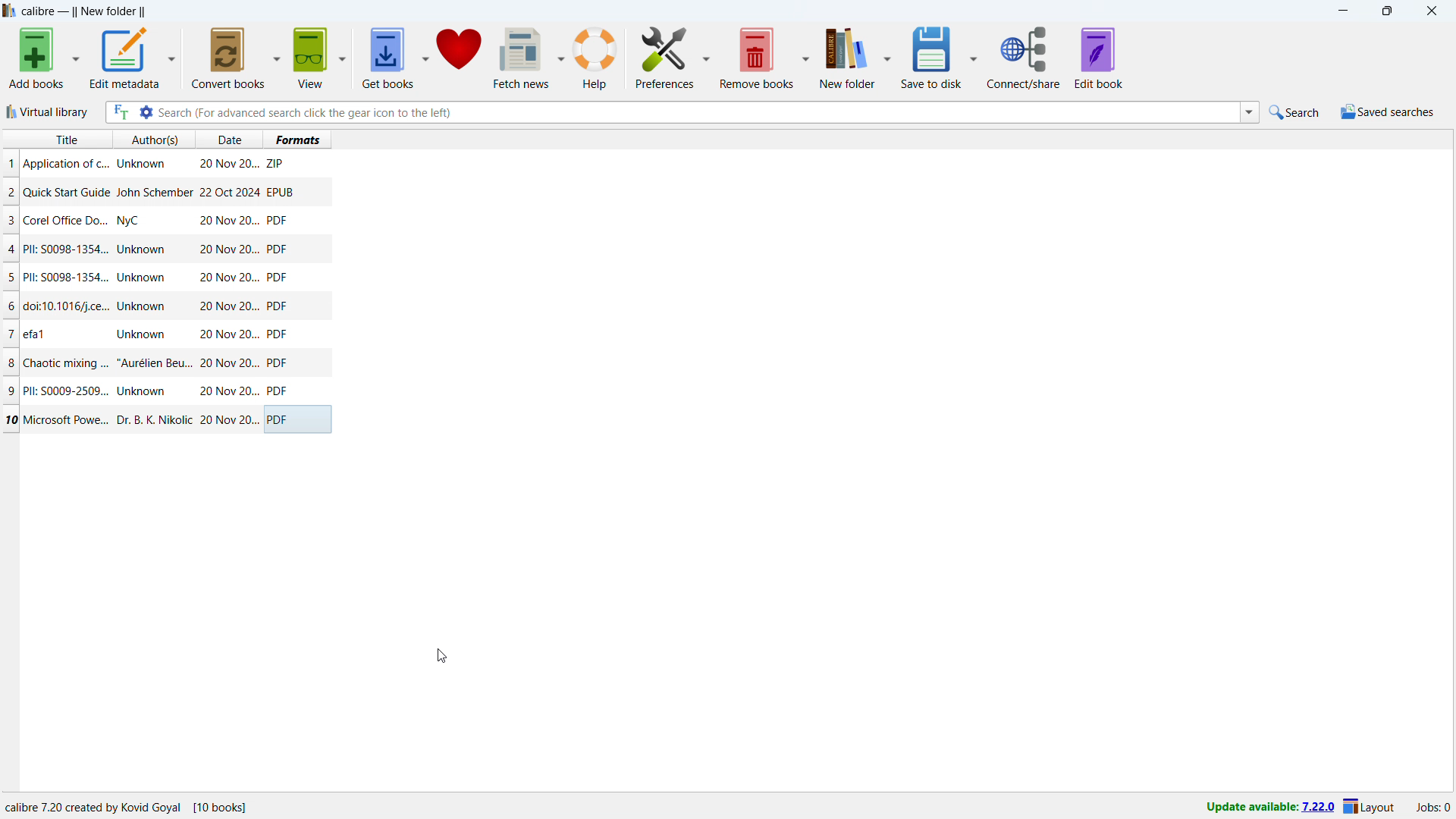 Image resolution: width=1456 pixels, height=819 pixels. I want to click on PII: S0009-2509..., so click(67, 390).